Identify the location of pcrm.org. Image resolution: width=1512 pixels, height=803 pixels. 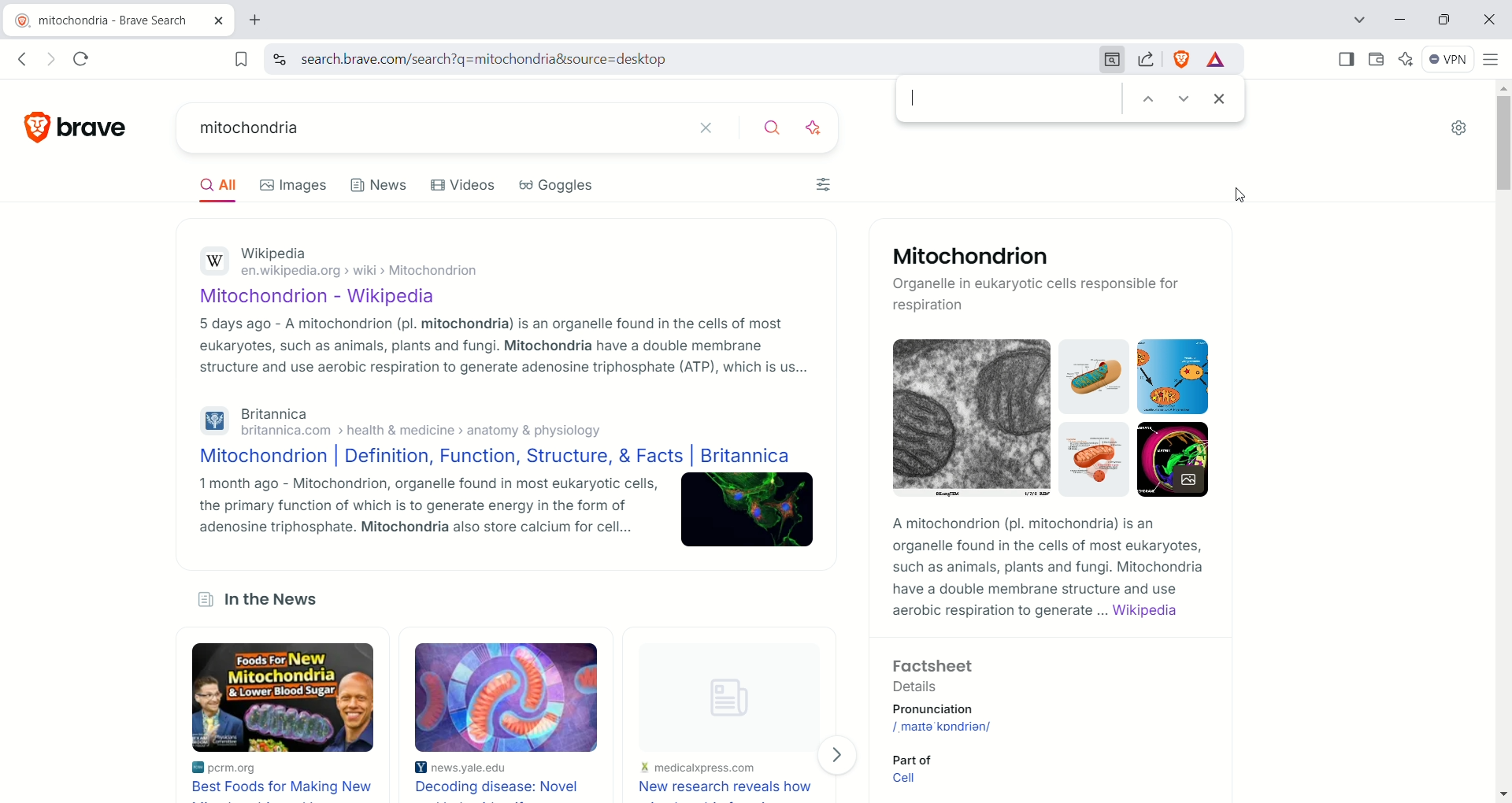
(245, 768).